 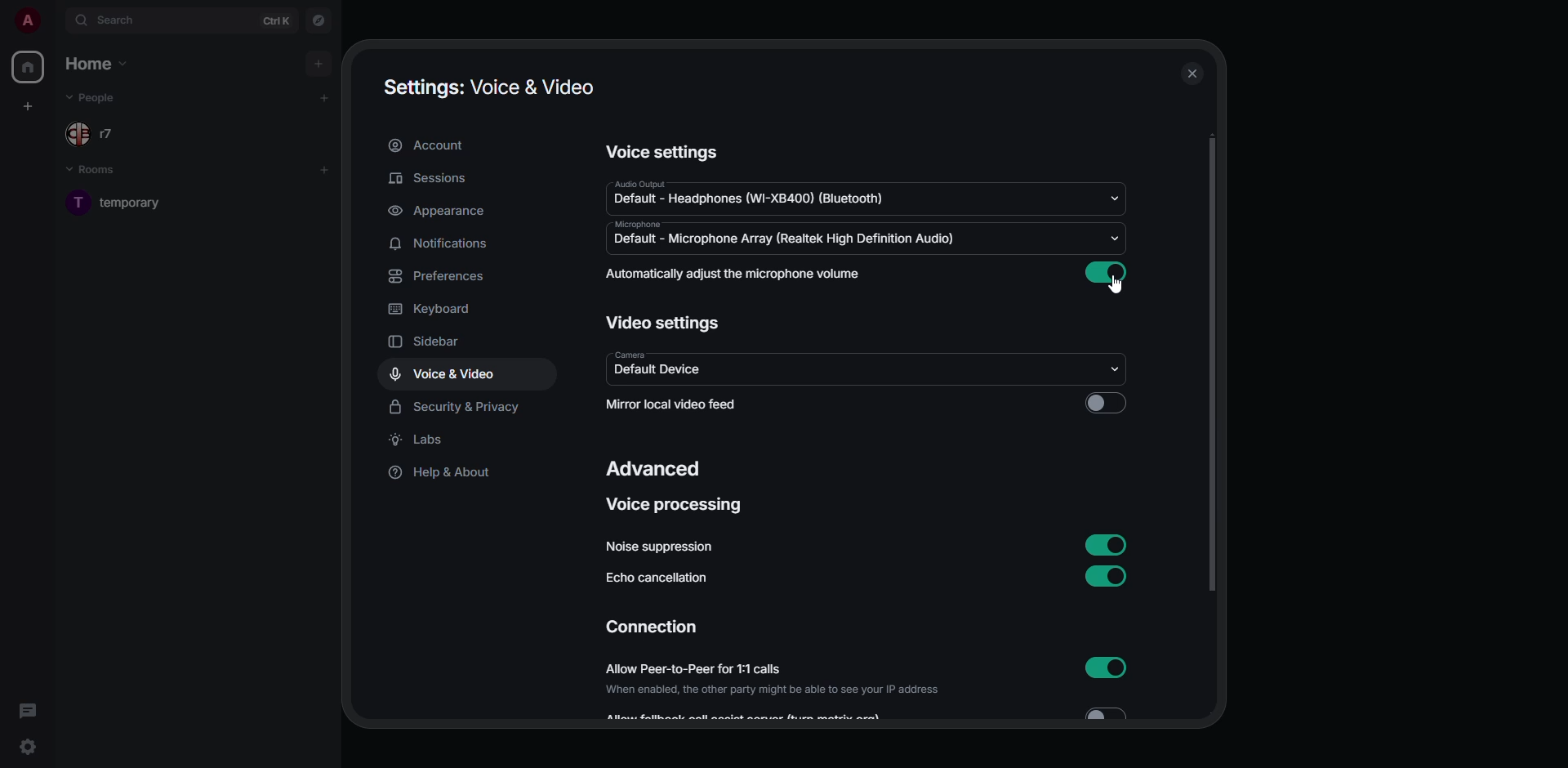 I want to click on enabled, so click(x=1109, y=668).